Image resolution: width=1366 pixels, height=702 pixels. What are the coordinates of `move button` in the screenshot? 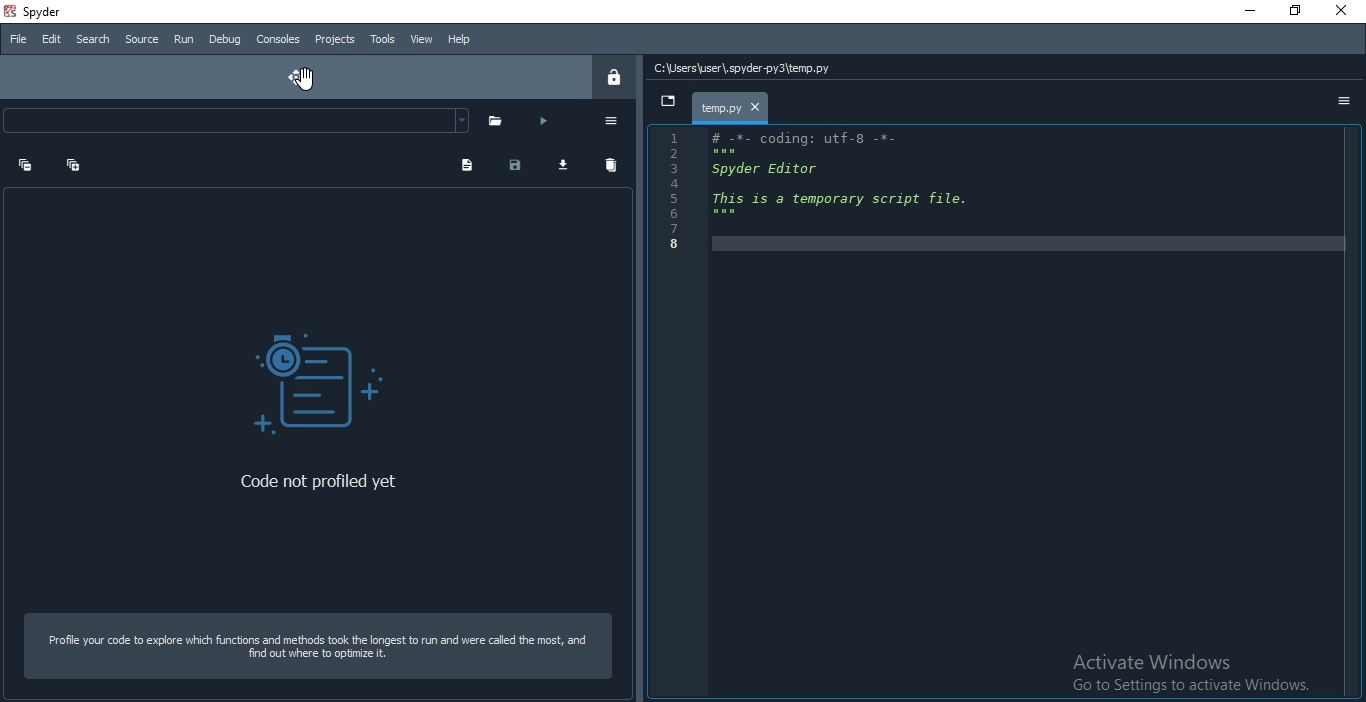 It's located at (300, 77).